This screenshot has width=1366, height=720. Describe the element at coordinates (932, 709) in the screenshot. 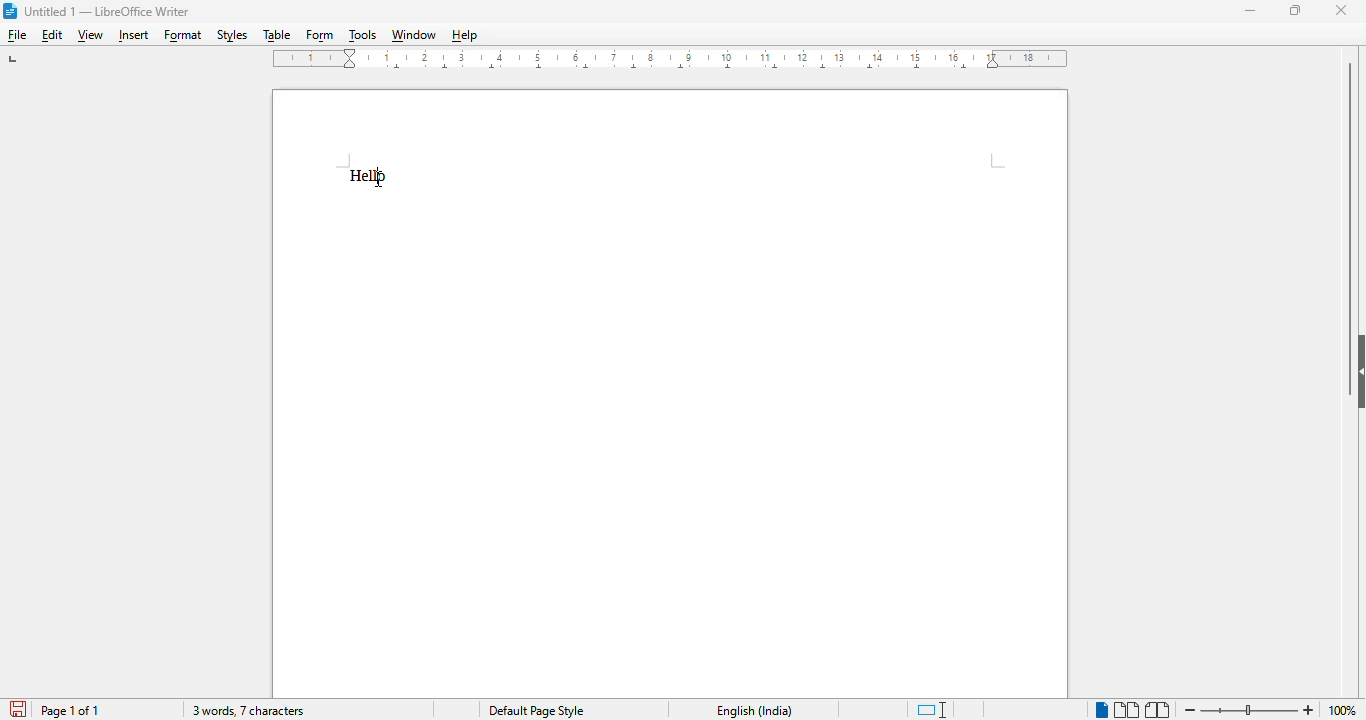

I see `standard selection` at that location.